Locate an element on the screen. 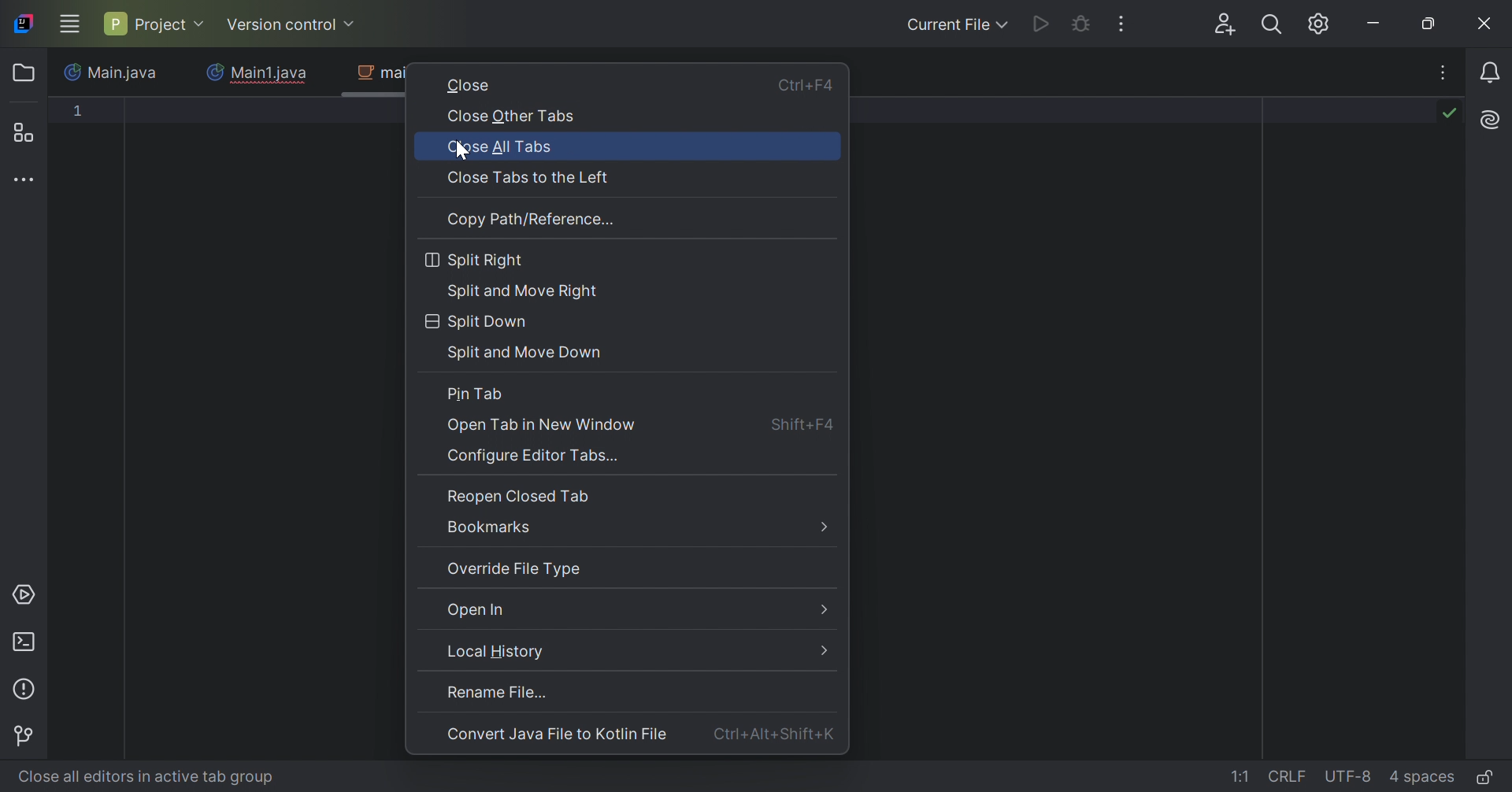 The image size is (1512, 792). IntelliJ IDEA icon is located at coordinates (28, 24).